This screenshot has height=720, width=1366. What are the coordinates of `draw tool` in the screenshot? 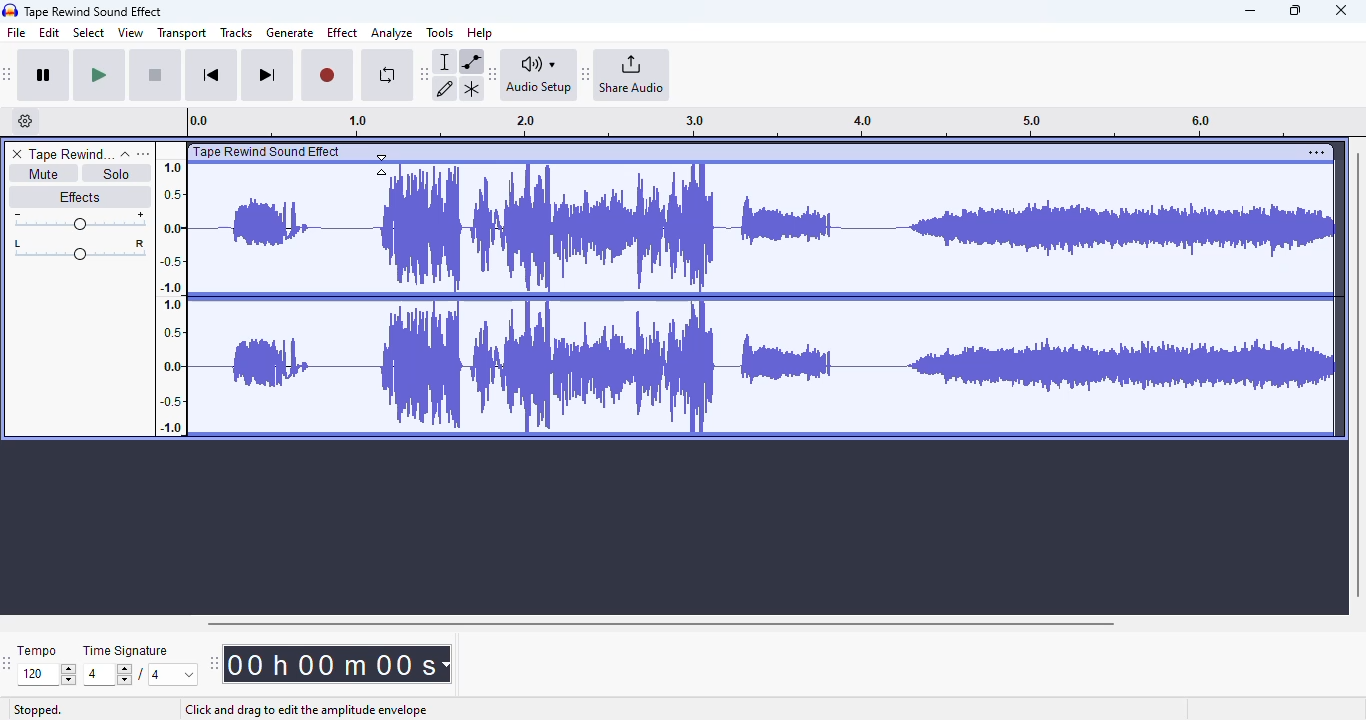 It's located at (446, 88).